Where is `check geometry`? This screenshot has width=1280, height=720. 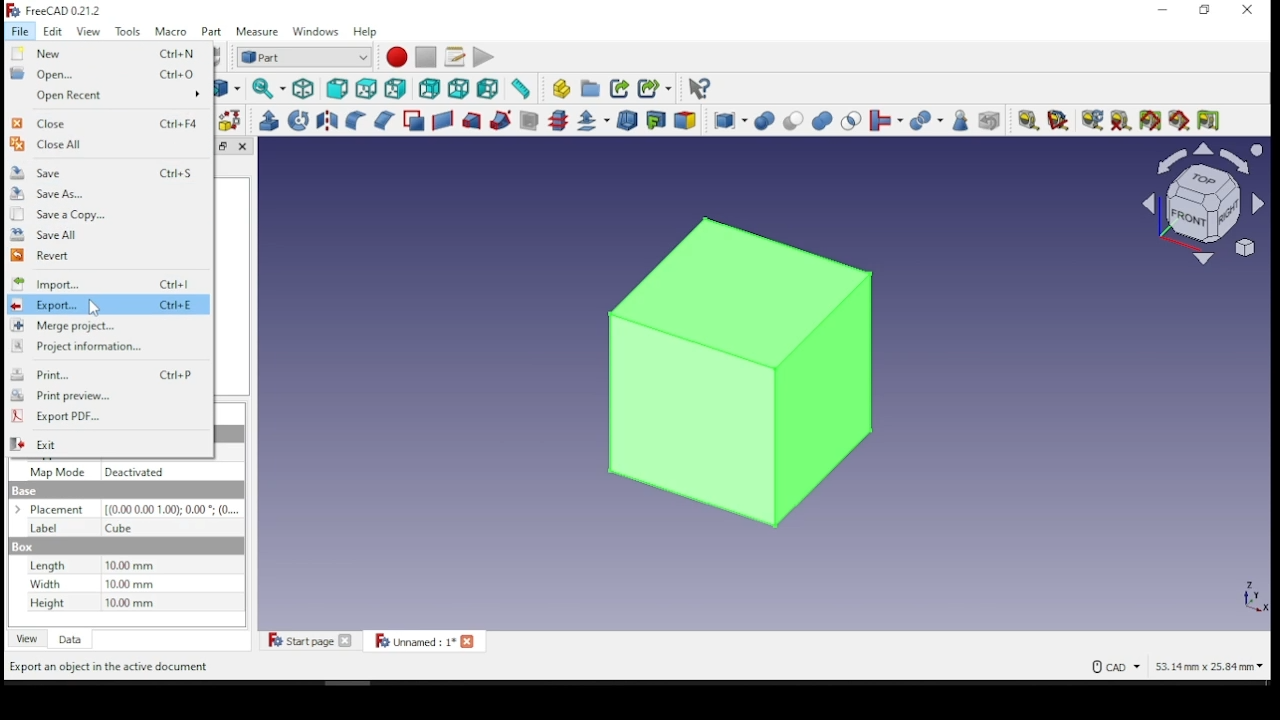
check geometry is located at coordinates (962, 121).